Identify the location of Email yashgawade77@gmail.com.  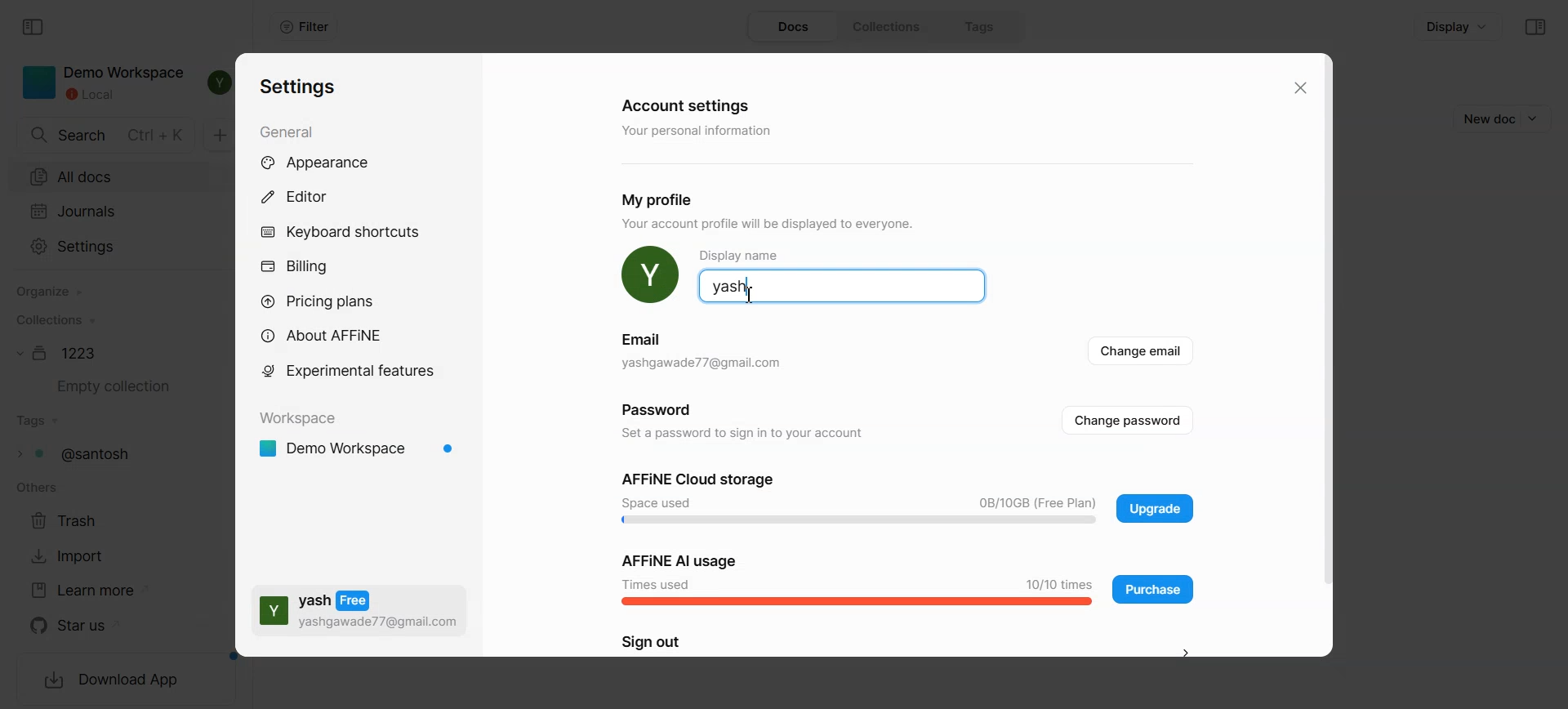
(702, 354).